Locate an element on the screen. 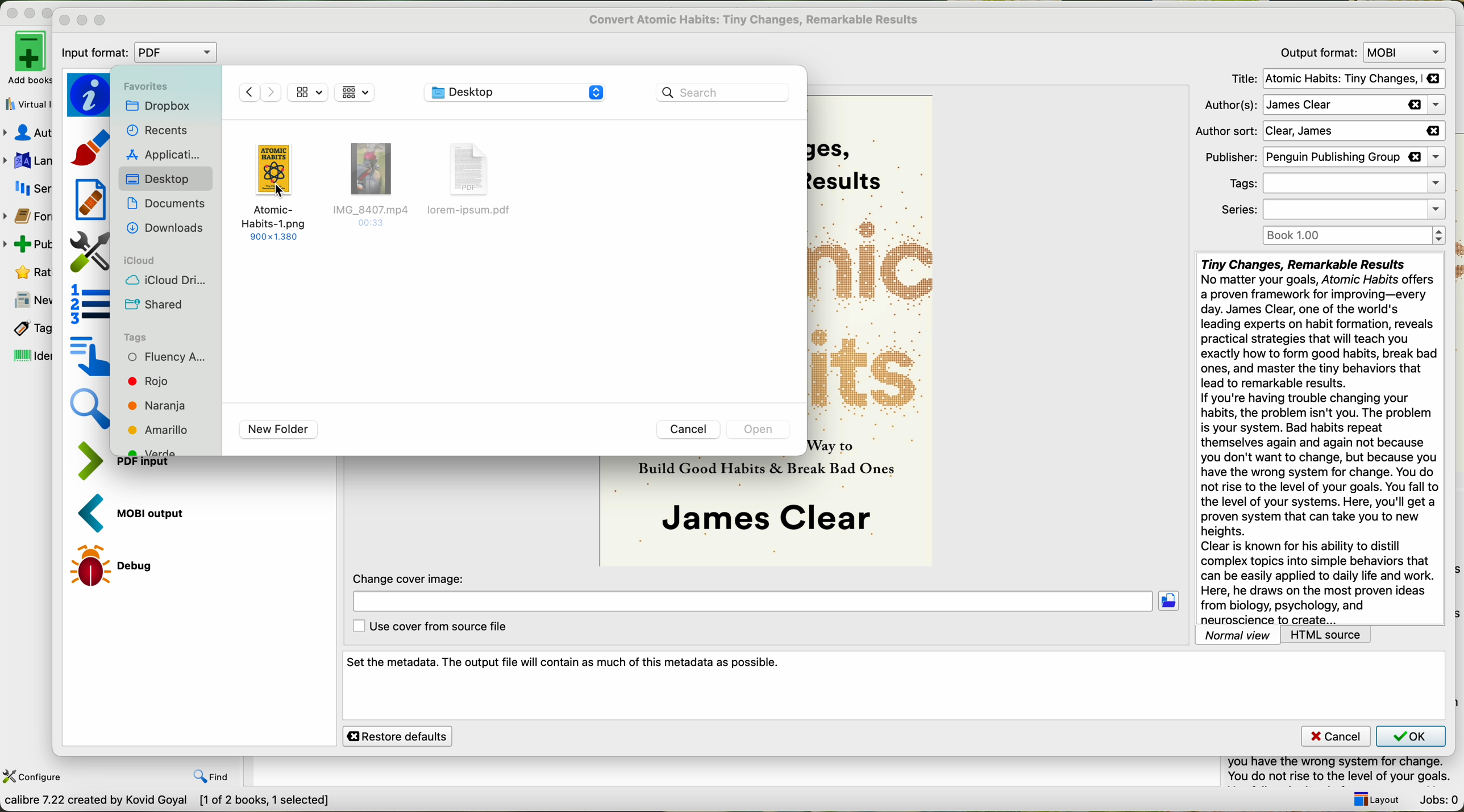 The width and height of the screenshot is (1464, 812). shared is located at coordinates (157, 305).